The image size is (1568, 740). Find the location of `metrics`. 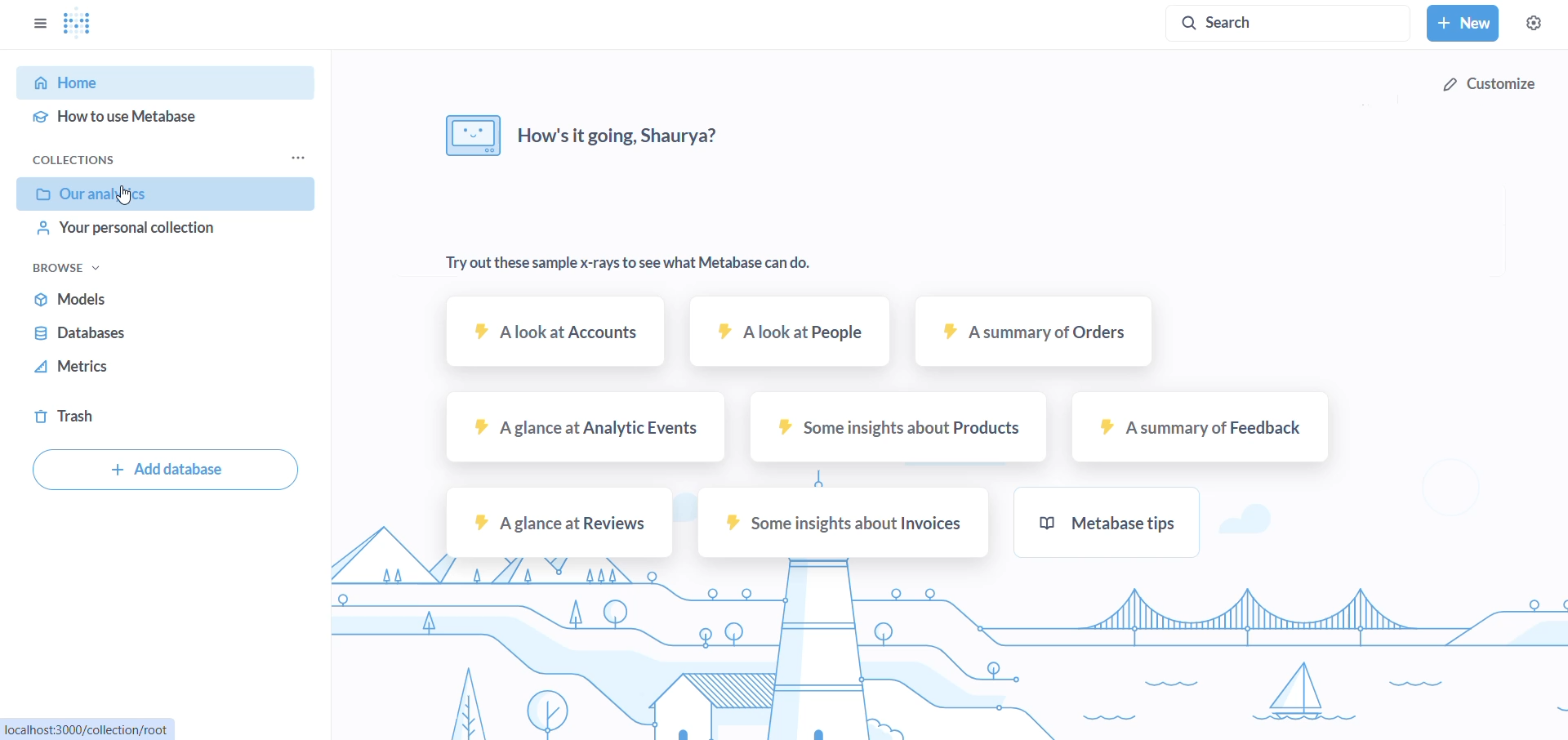

metrics is located at coordinates (153, 373).